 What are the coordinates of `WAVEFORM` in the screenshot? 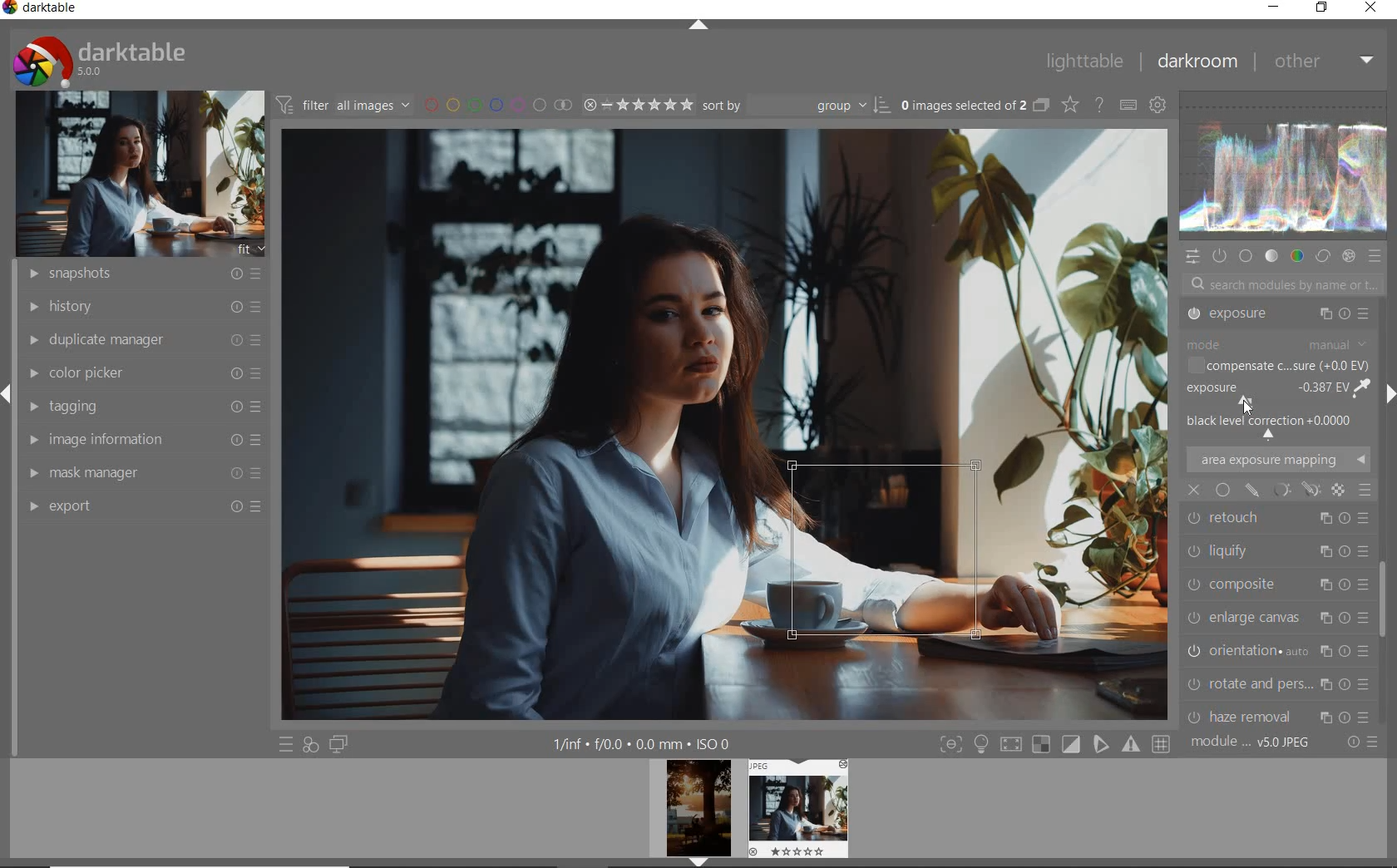 It's located at (1285, 165).